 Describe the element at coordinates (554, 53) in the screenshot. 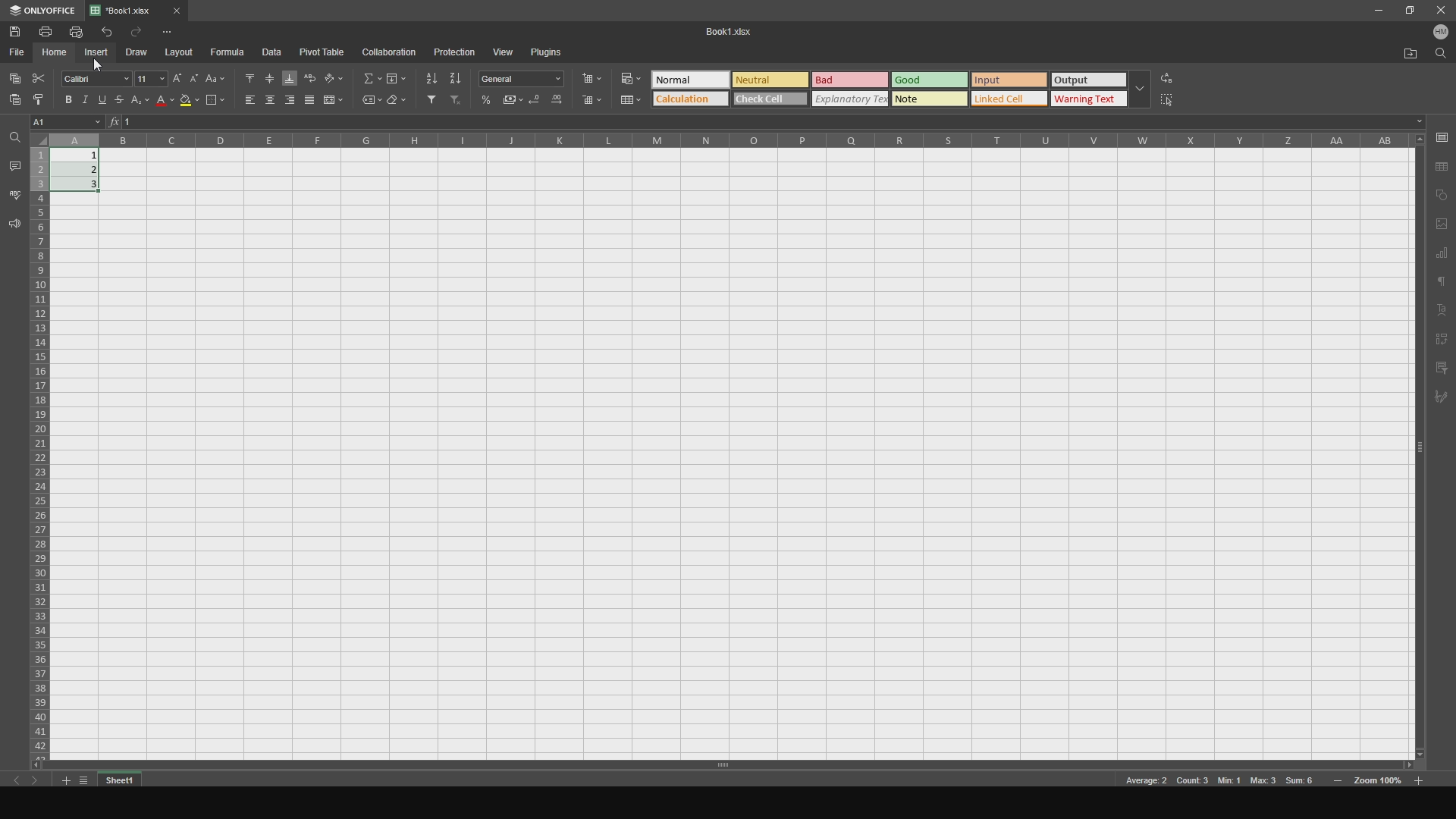

I see `plugins` at that location.